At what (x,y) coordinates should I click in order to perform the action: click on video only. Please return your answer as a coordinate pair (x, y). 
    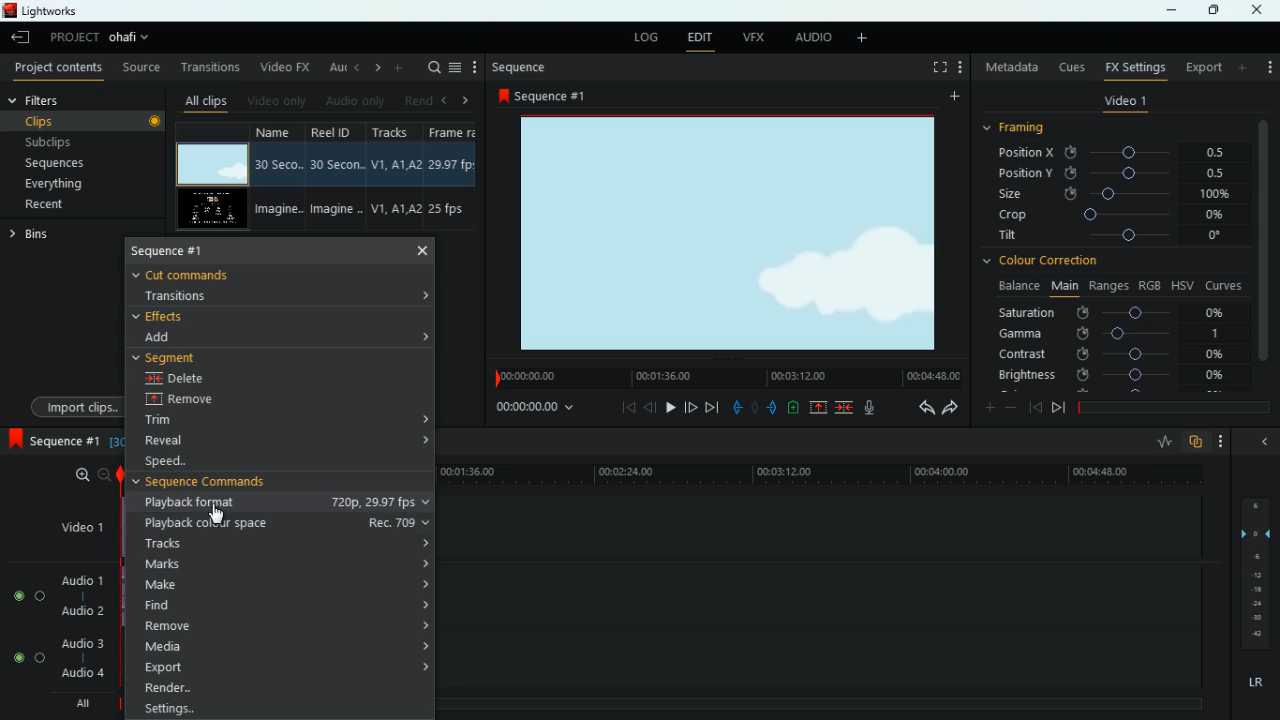
    Looking at the image, I should click on (277, 102).